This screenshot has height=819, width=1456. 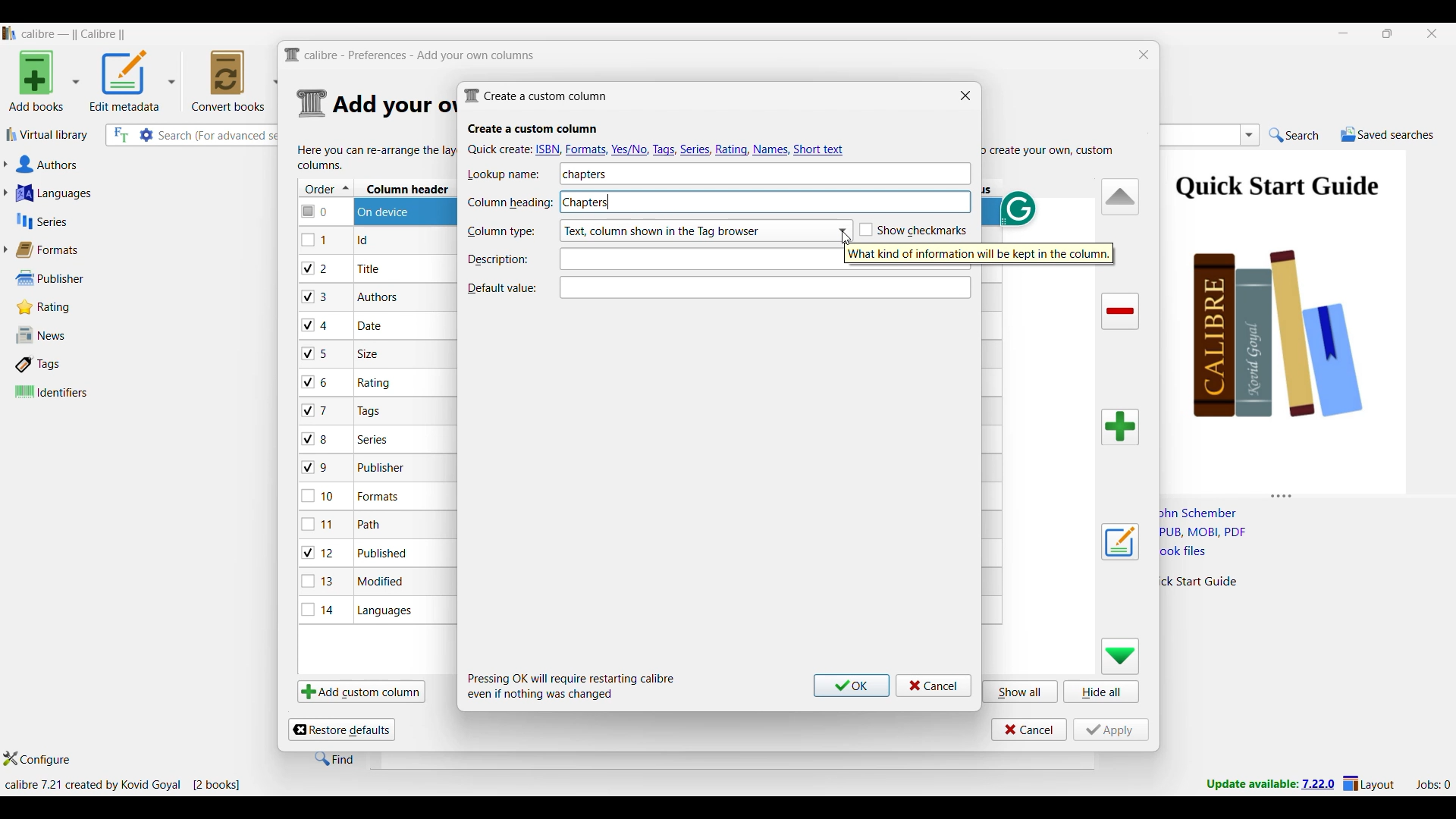 What do you see at coordinates (1344, 33) in the screenshot?
I see `Minimize` at bounding box center [1344, 33].